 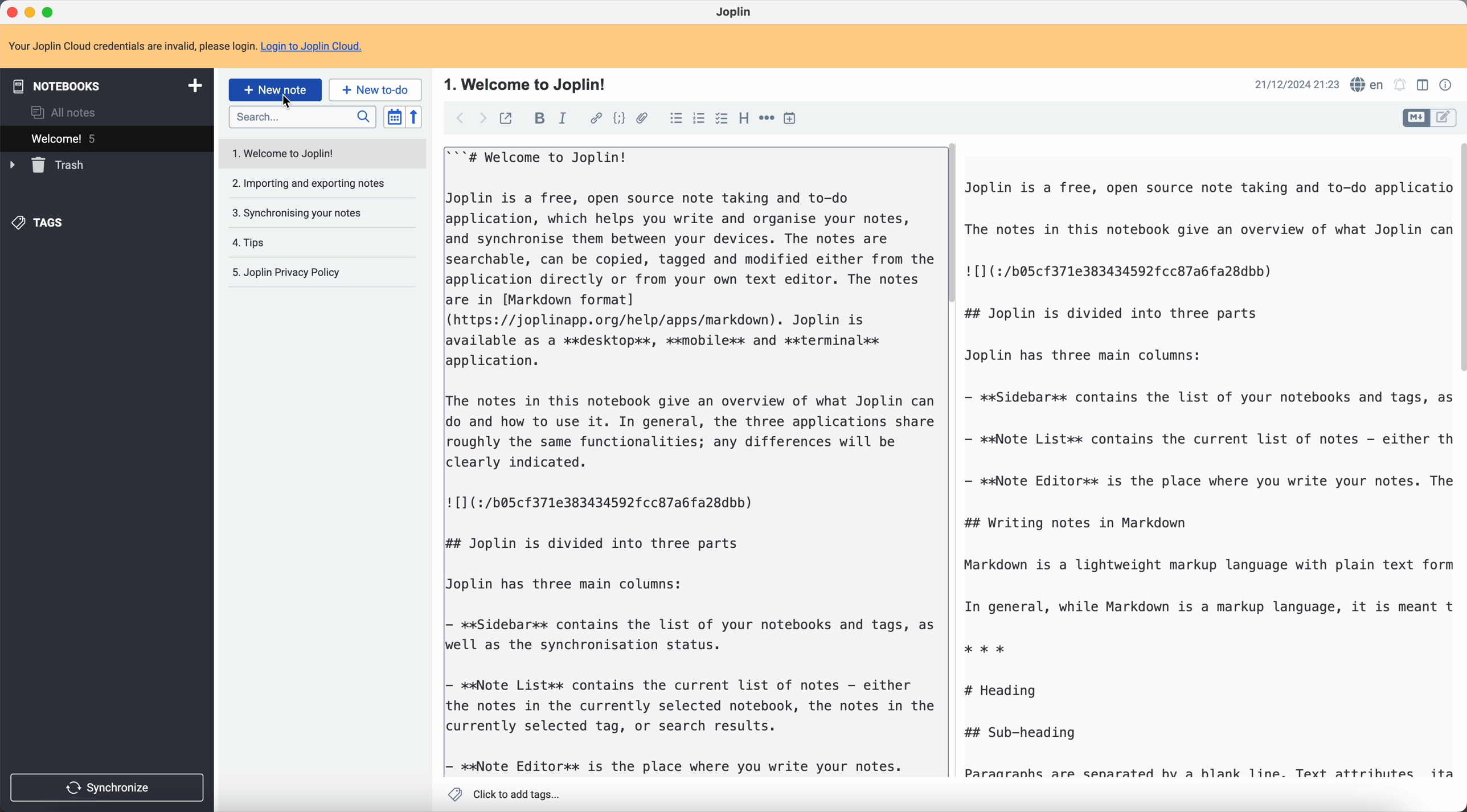 What do you see at coordinates (64, 111) in the screenshot?
I see `all notes` at bounding box center [64, 111].